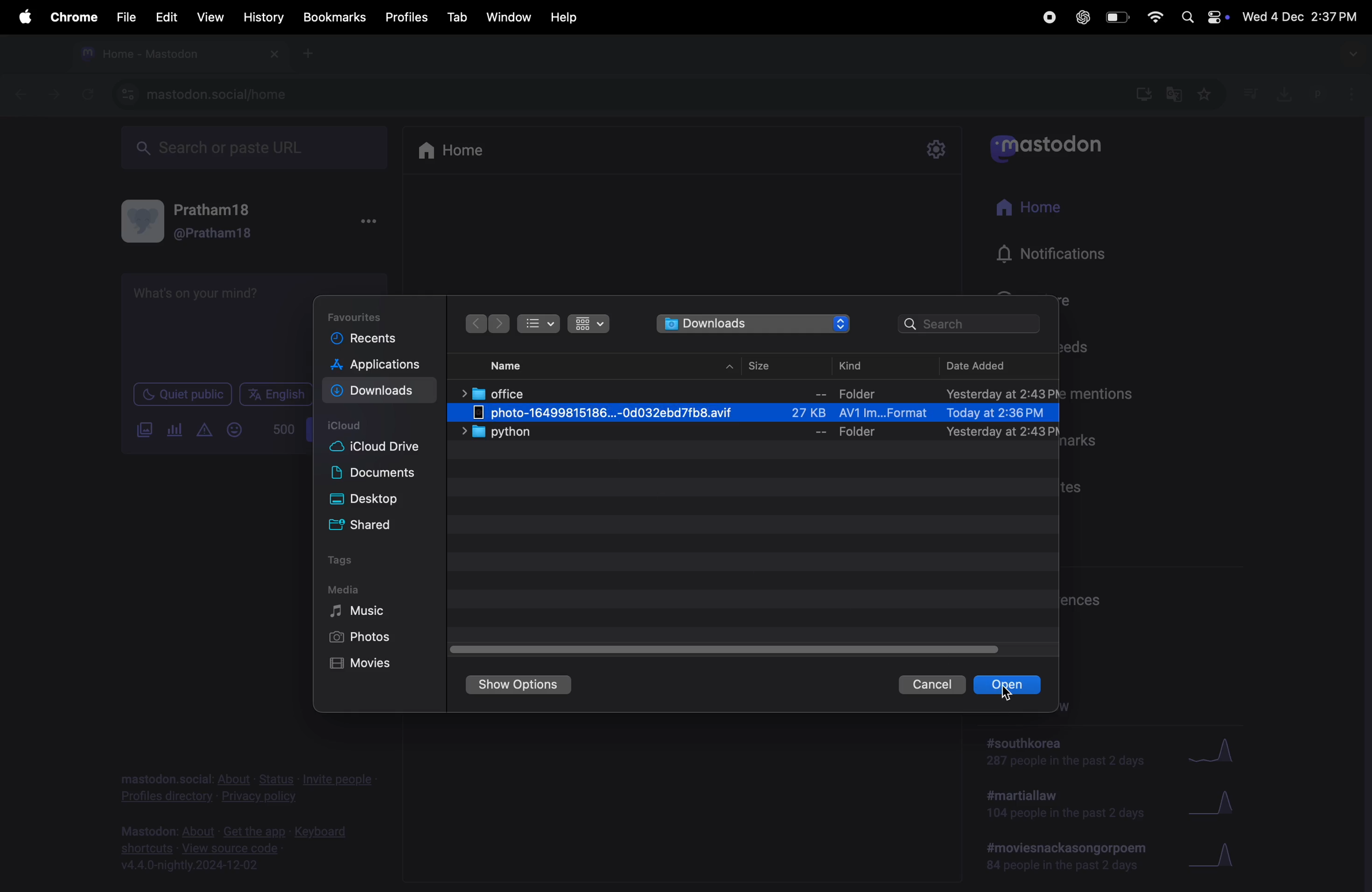 Image resolution: width=1372 pixels, height=892 pixels. What do you see at coordinates (374, 500) in the screenshot?
I see `desktop` at bounding box center [374, 500].